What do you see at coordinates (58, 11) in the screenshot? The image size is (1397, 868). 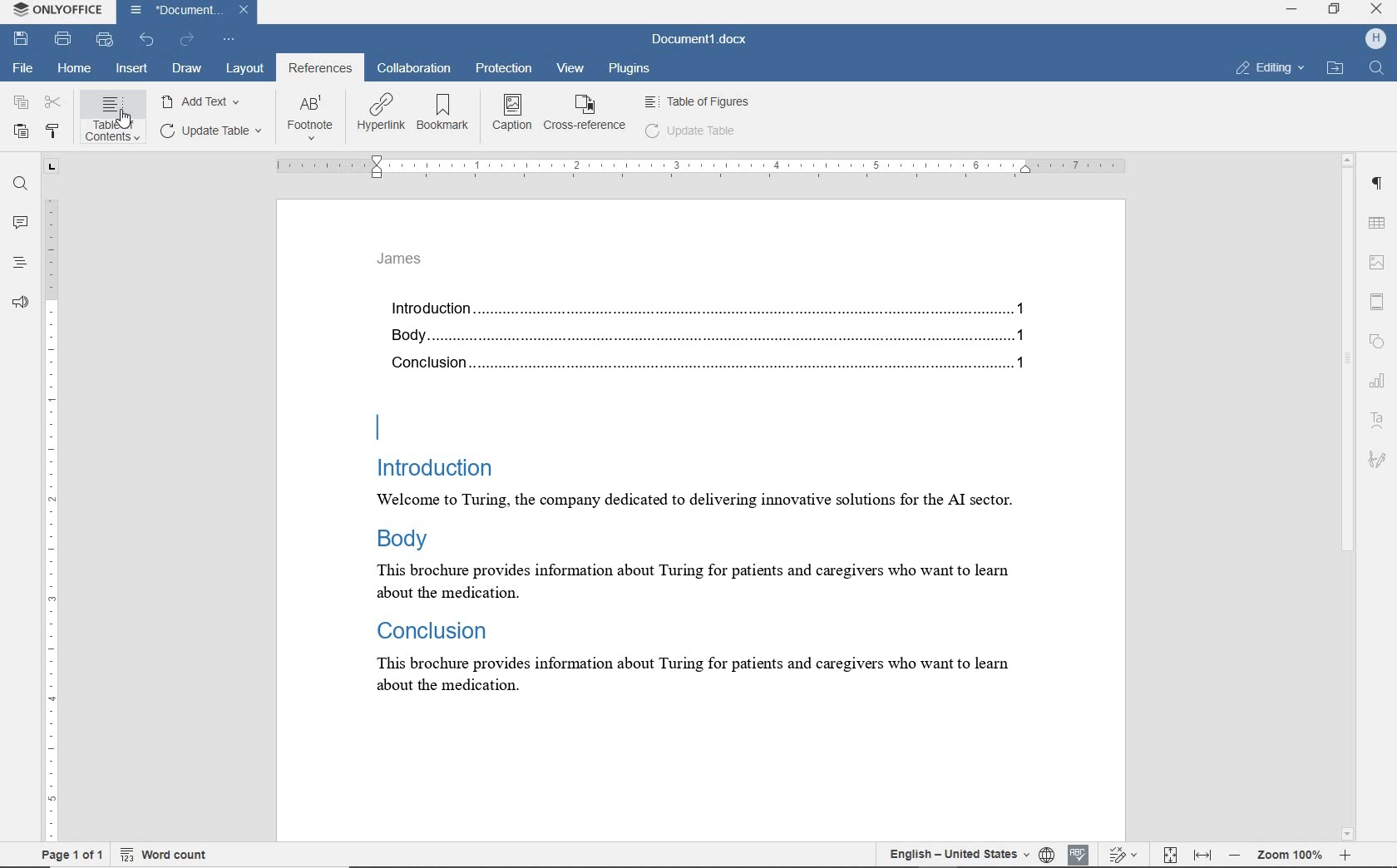 I see `system name` at bounding box center [58, 11].